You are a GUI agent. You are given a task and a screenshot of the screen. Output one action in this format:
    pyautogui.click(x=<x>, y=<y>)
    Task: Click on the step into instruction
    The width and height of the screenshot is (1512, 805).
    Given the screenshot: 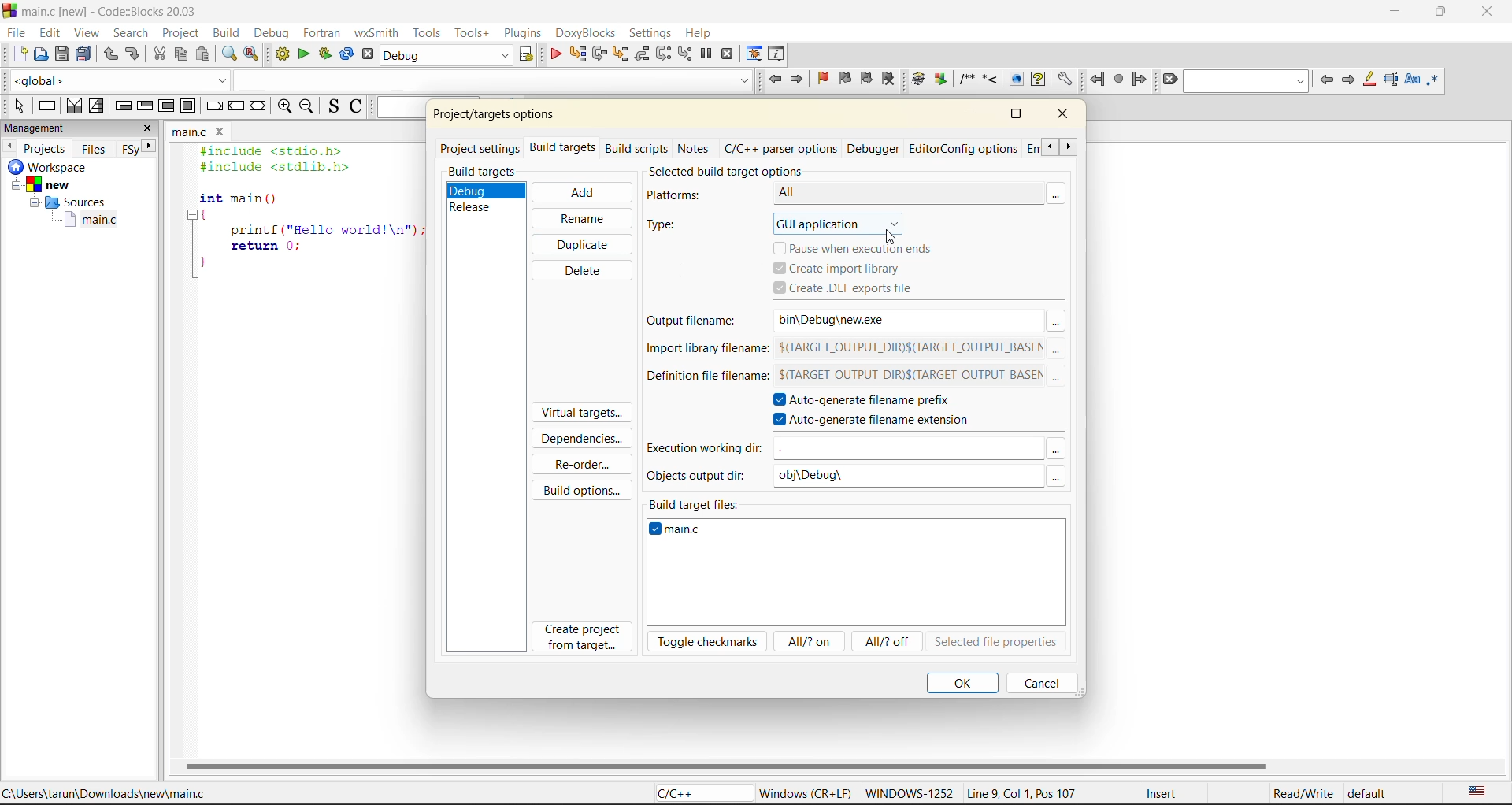 What is the action you would take?
    pyautogui.click(x=685, y=54)
    